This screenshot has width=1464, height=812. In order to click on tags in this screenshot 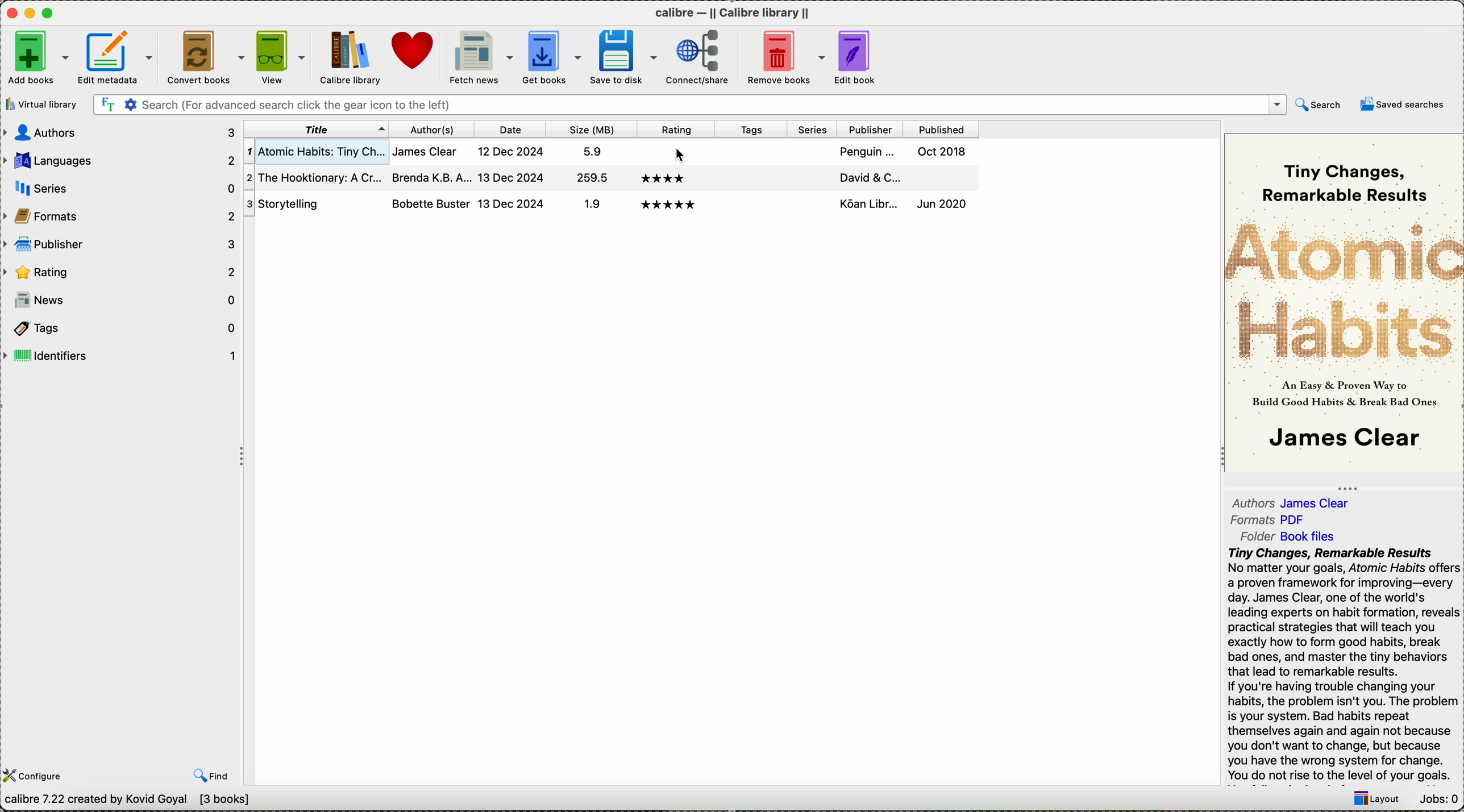, I will do `click(750, 128)`.